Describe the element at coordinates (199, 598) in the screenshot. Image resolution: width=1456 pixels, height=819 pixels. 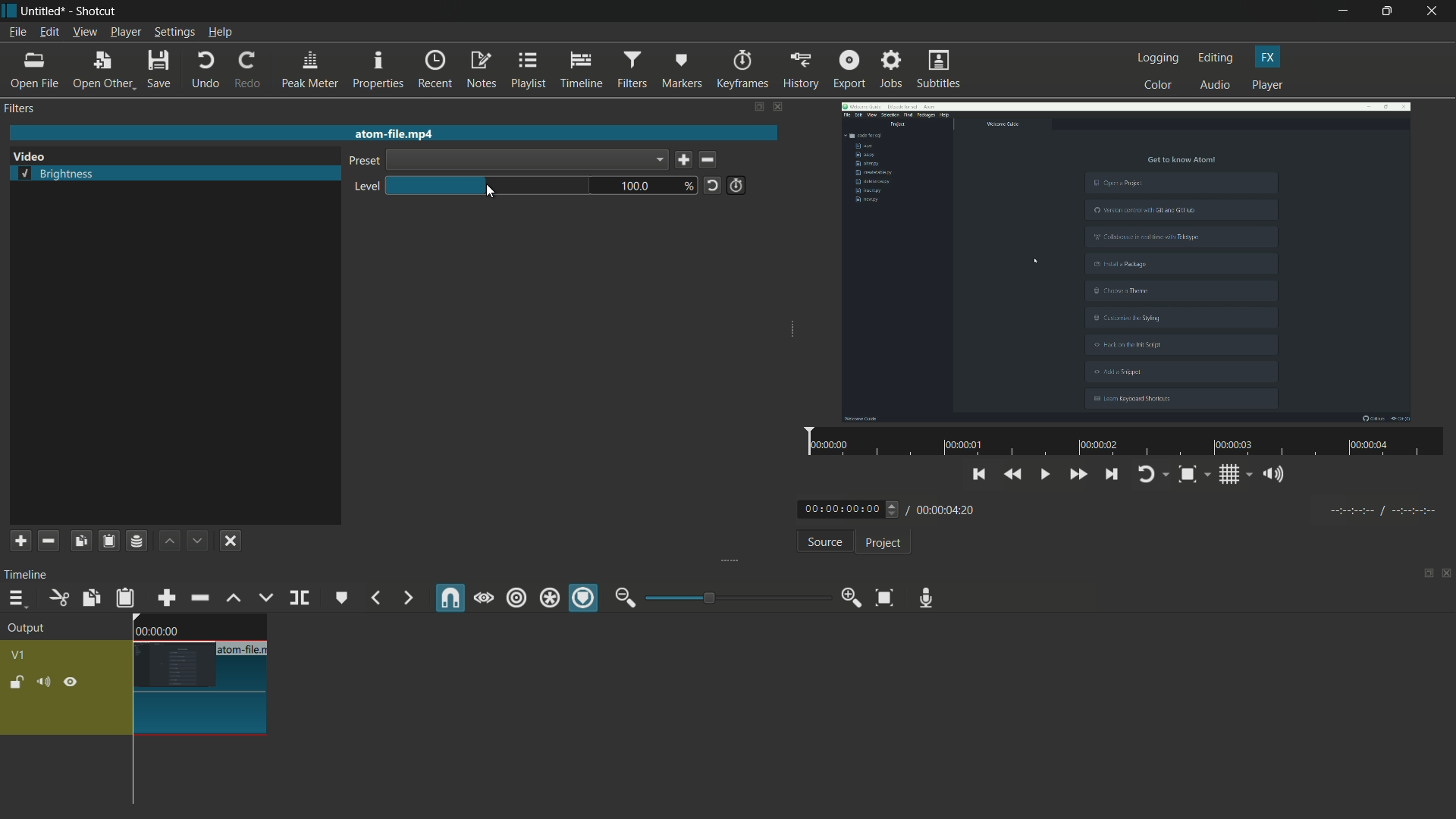
I see `ripple delete` at that location.